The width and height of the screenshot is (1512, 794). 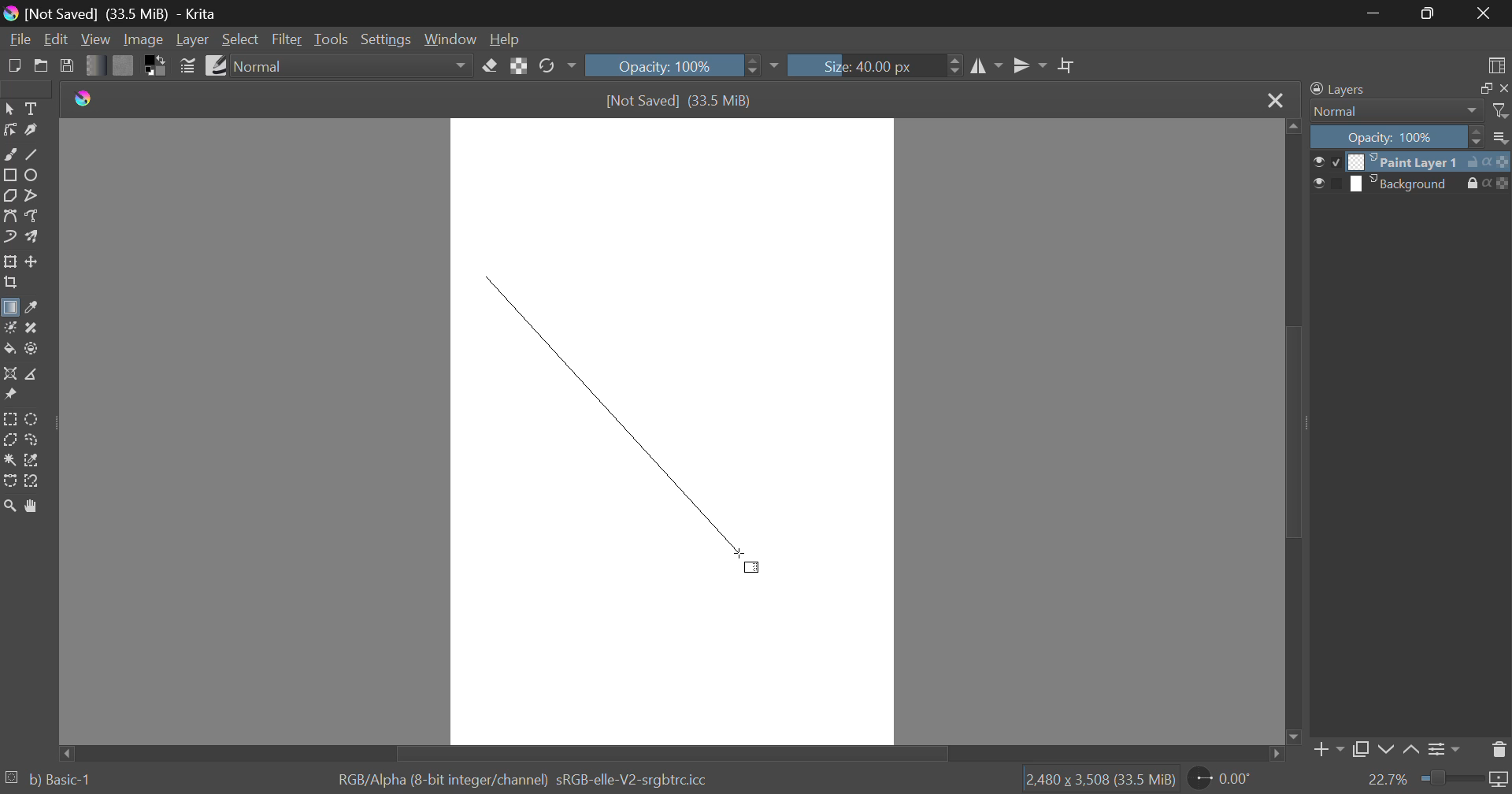 I want to click on Ellipses, so click(x=32, y=175).